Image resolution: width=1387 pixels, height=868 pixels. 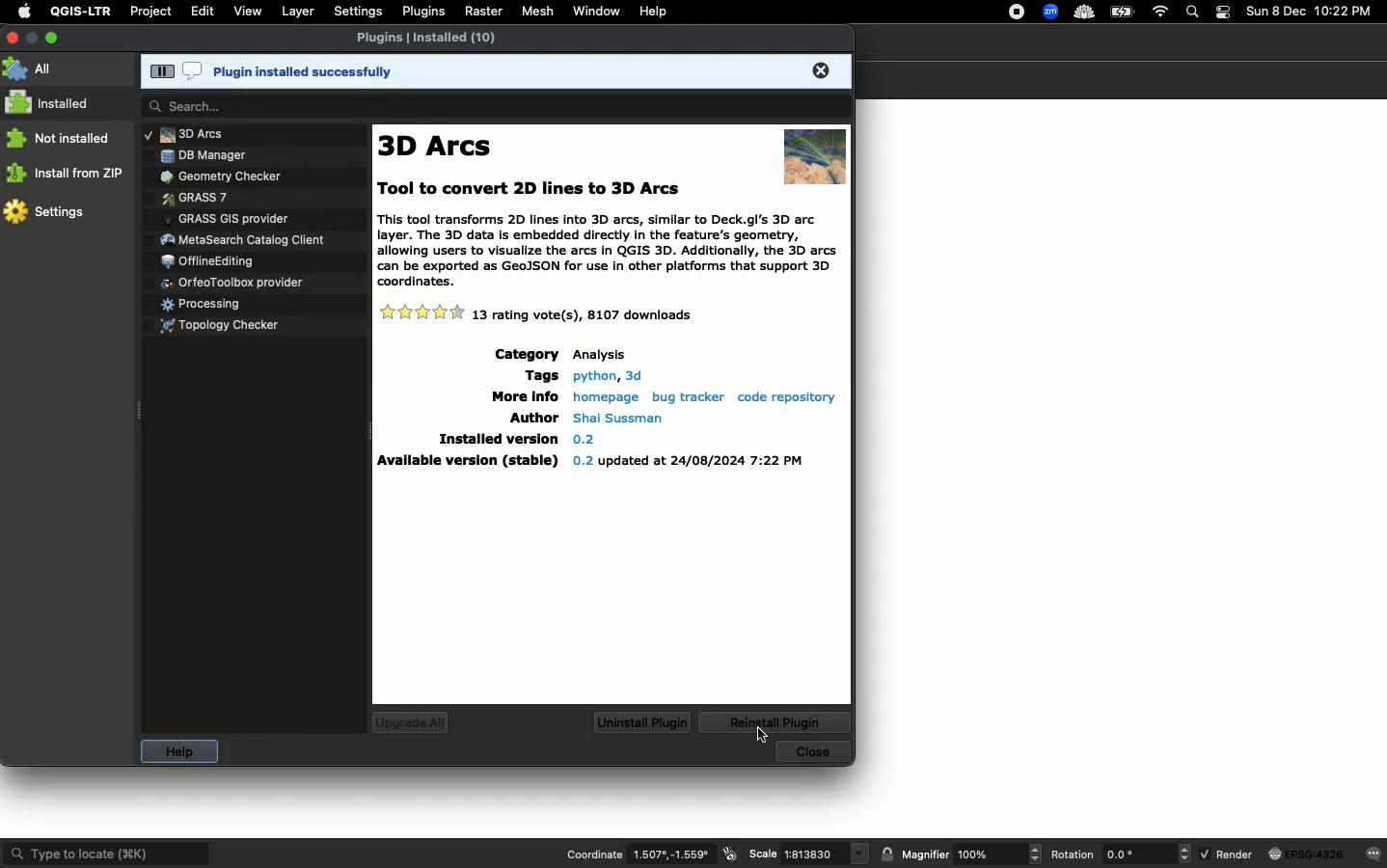 I want to click on Plugins, so click(x=235, y=237).